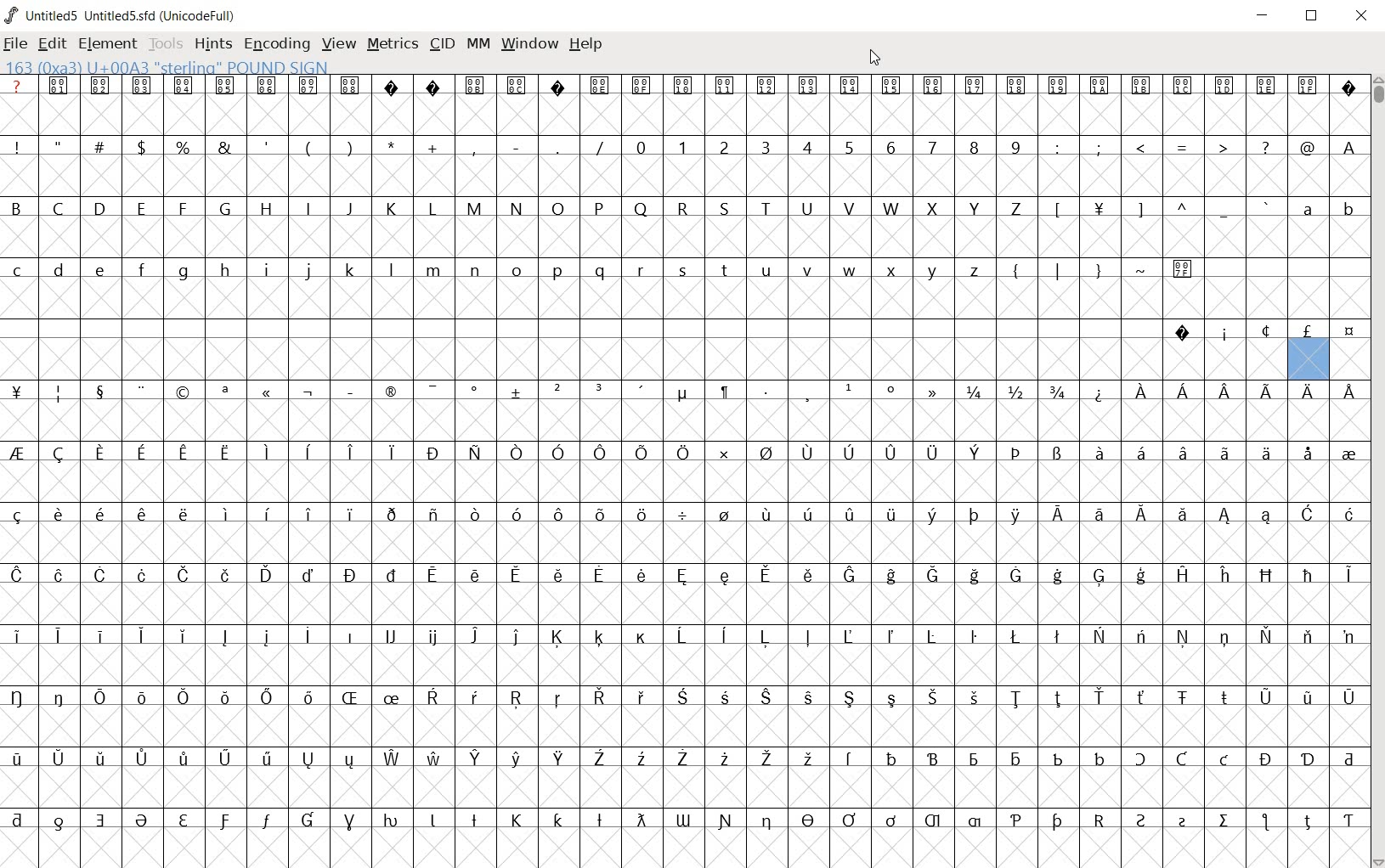  I want to click on ., so click(557, 146).